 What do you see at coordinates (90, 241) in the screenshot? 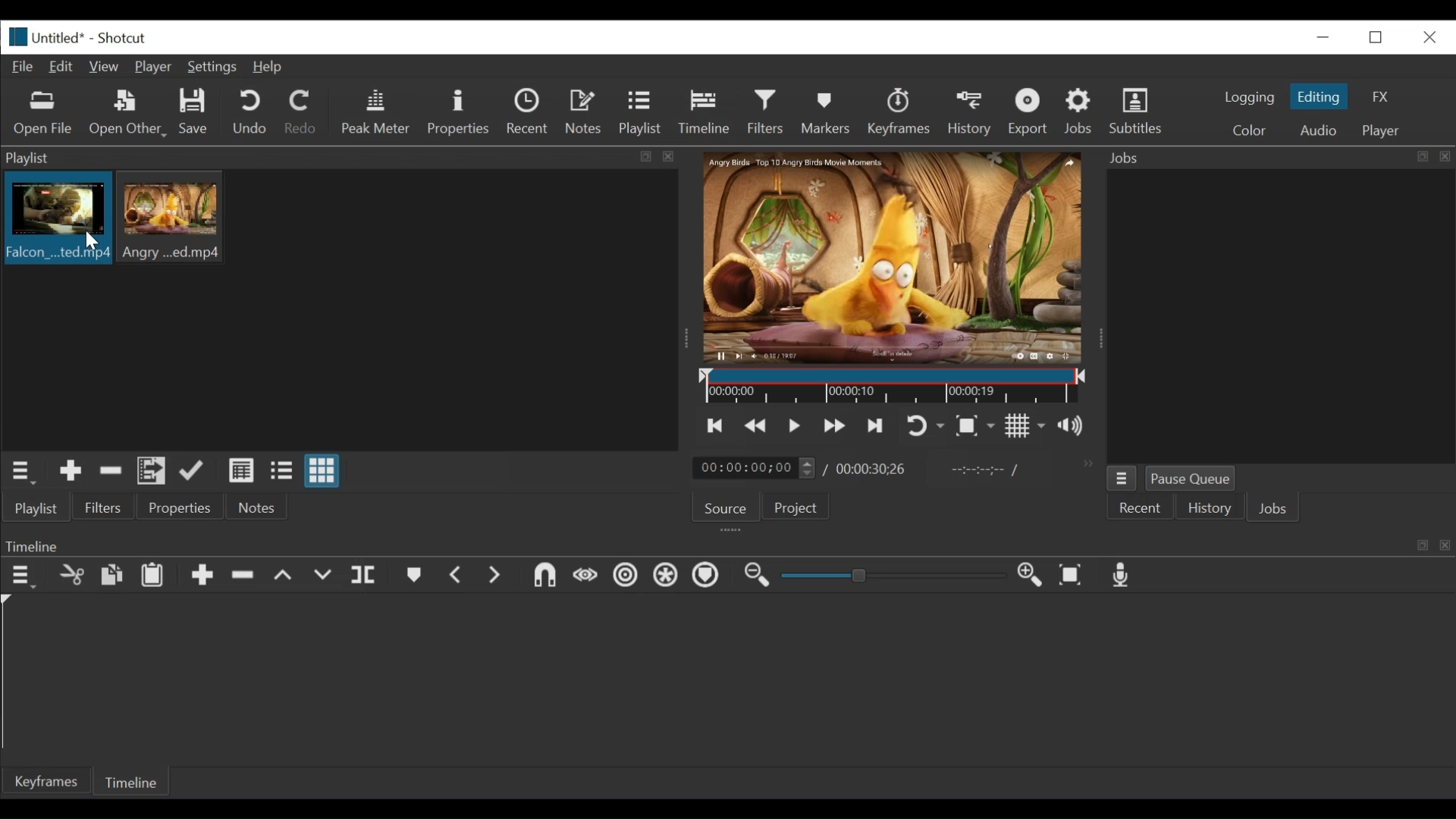
I see `cursor` at bounding box center [90, 241].